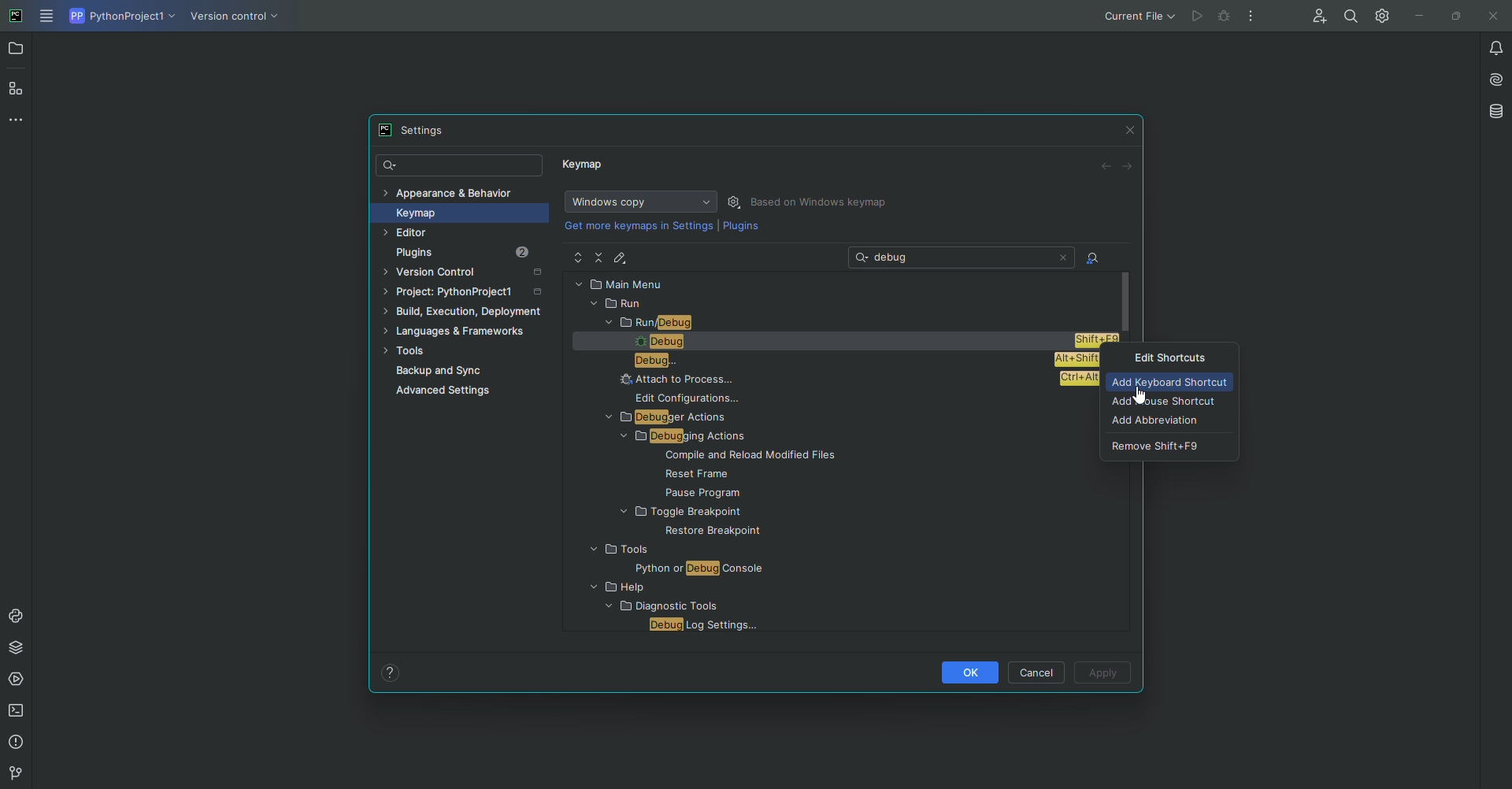 The width and height of the screenshot is (1512, 789). Describe the element at coordinates (1080, 381) in the screenshot. I see `shortcut` at that location.